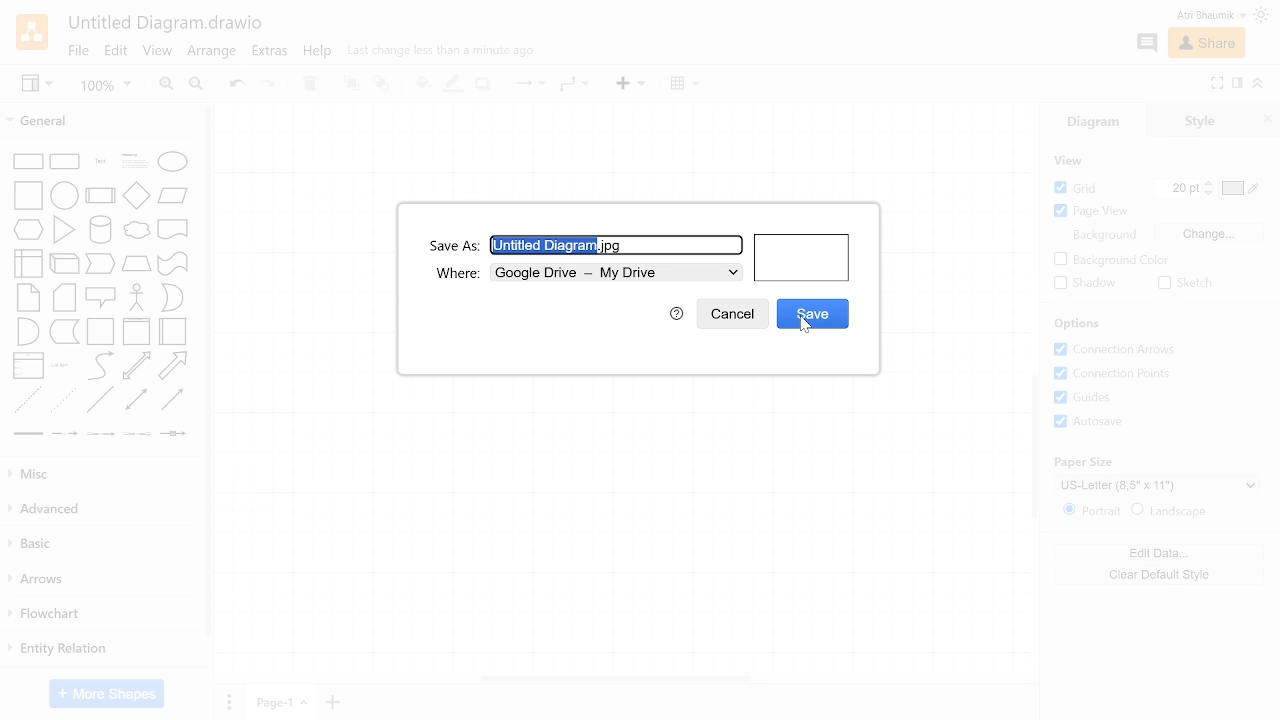 The height and width of the screenshot is (720, 1280). Describe the element at coordinates (102, 653) in the screenshot. I see `Entity relation` at that location.